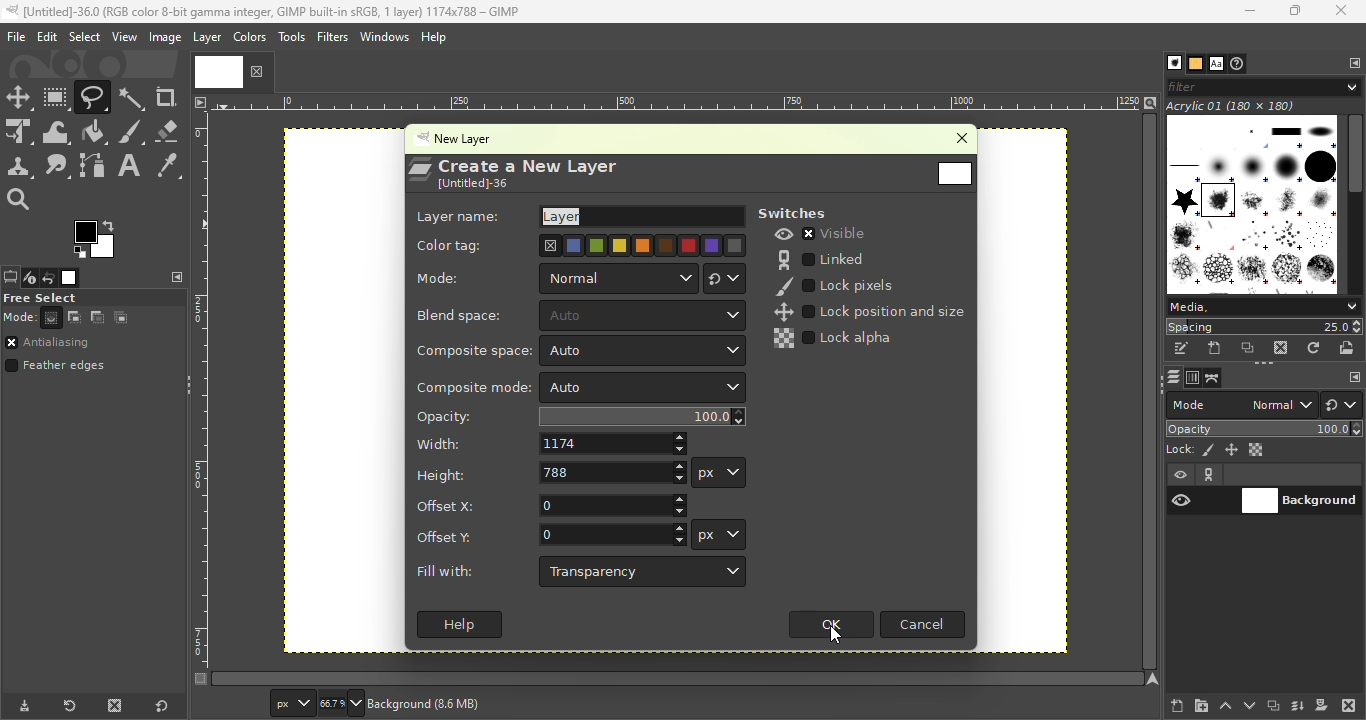 Image resolution: width=1366 pixels, height=720 pixels. I want to click on Vertical scrollbar, so click(678, 678).